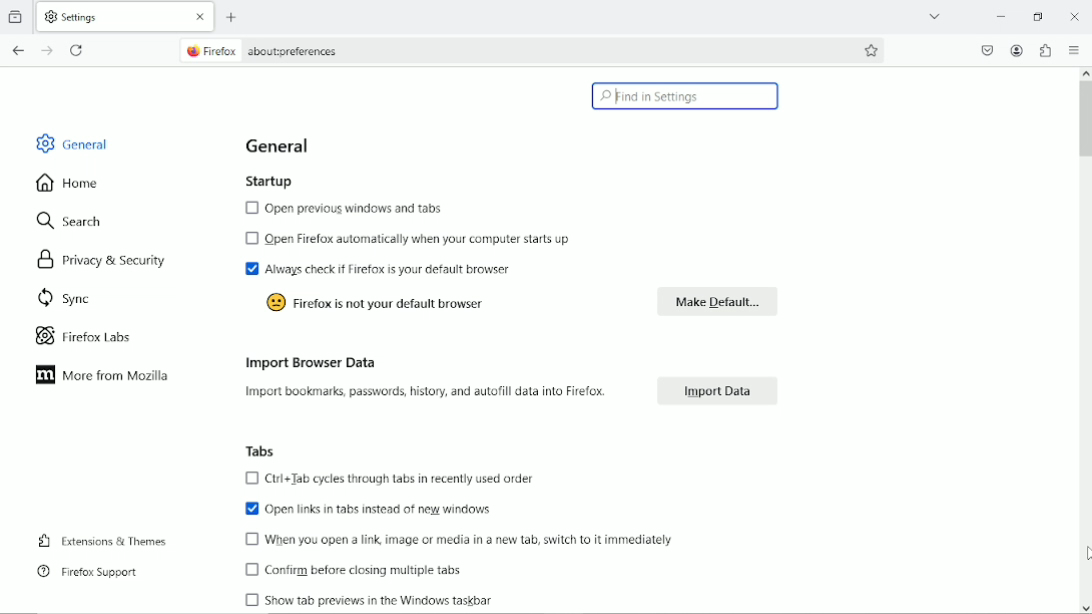 This screenshot has height=614, width=1092. What do you see at coordinates (72, 222) in the screenshot?
I see `search` at bounding box center [72, 222].